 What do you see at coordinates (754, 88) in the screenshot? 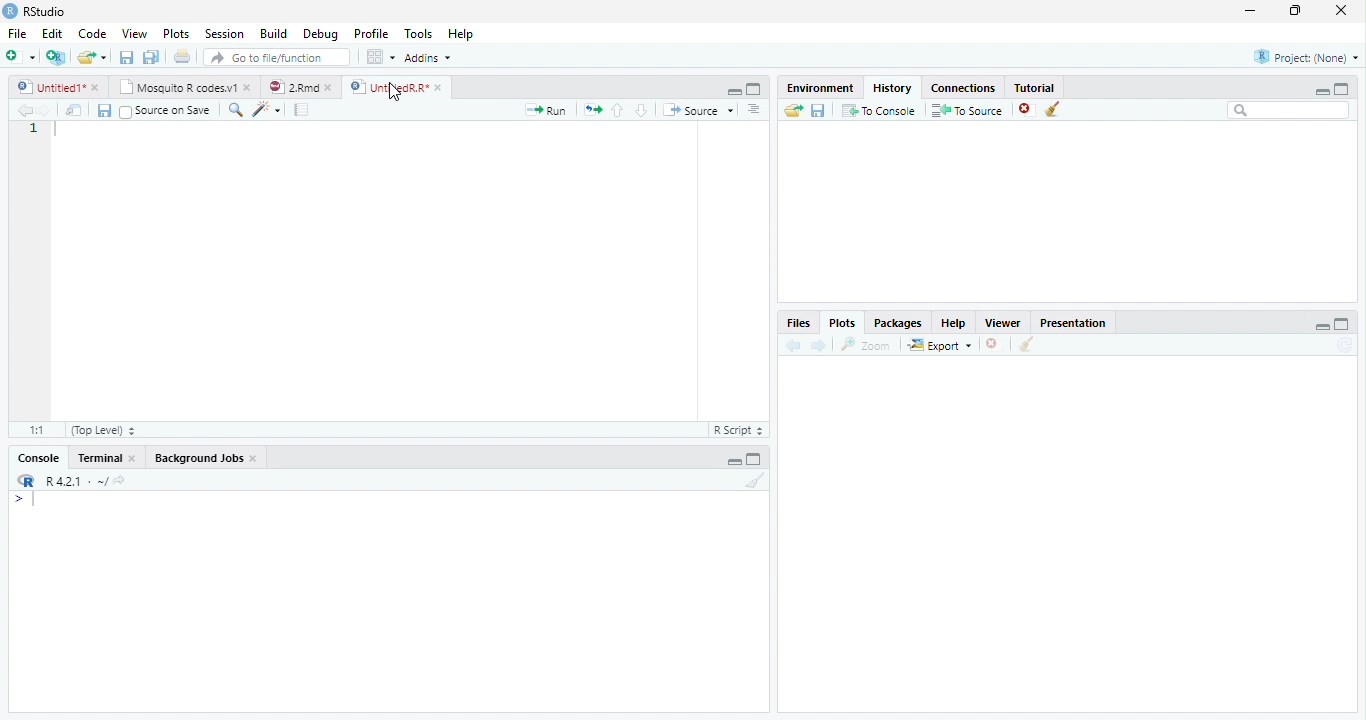
I see `Maximixe` at bounding box center [754, 88].